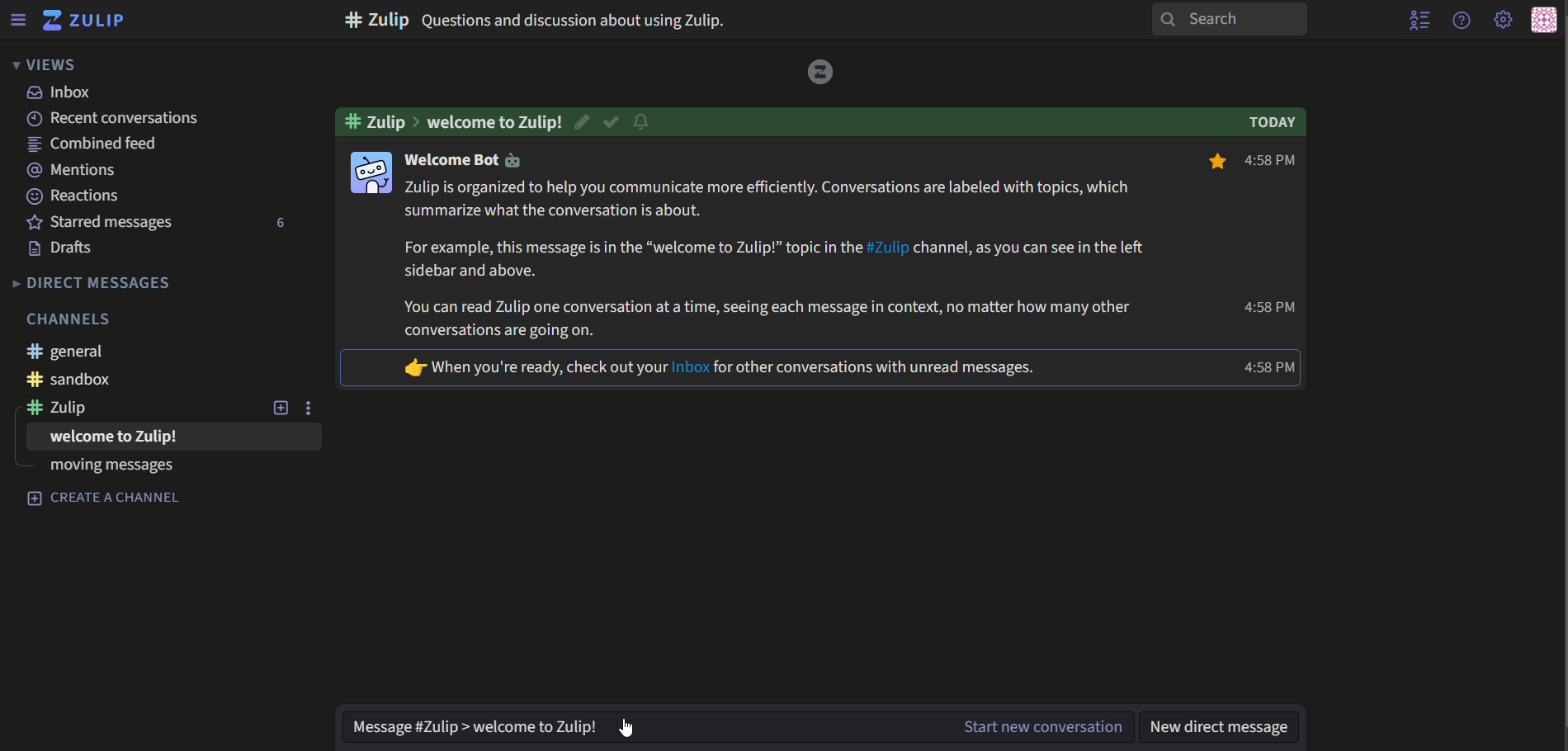  What do you see at coordinates (543, 19) in the screenshot?
I see `text` at bounding box center [543, 19].